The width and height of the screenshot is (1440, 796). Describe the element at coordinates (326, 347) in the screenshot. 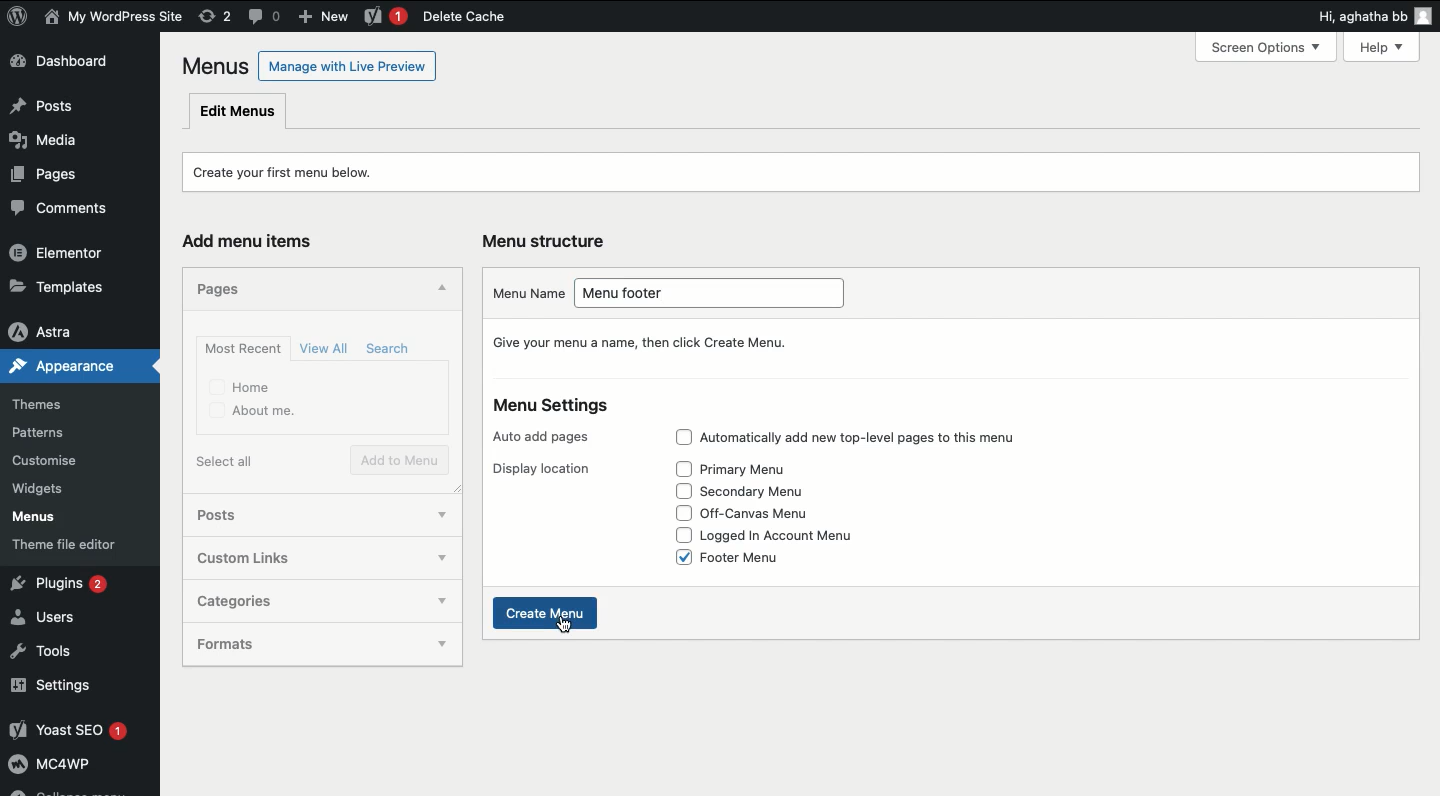

I see `View all` at that location.